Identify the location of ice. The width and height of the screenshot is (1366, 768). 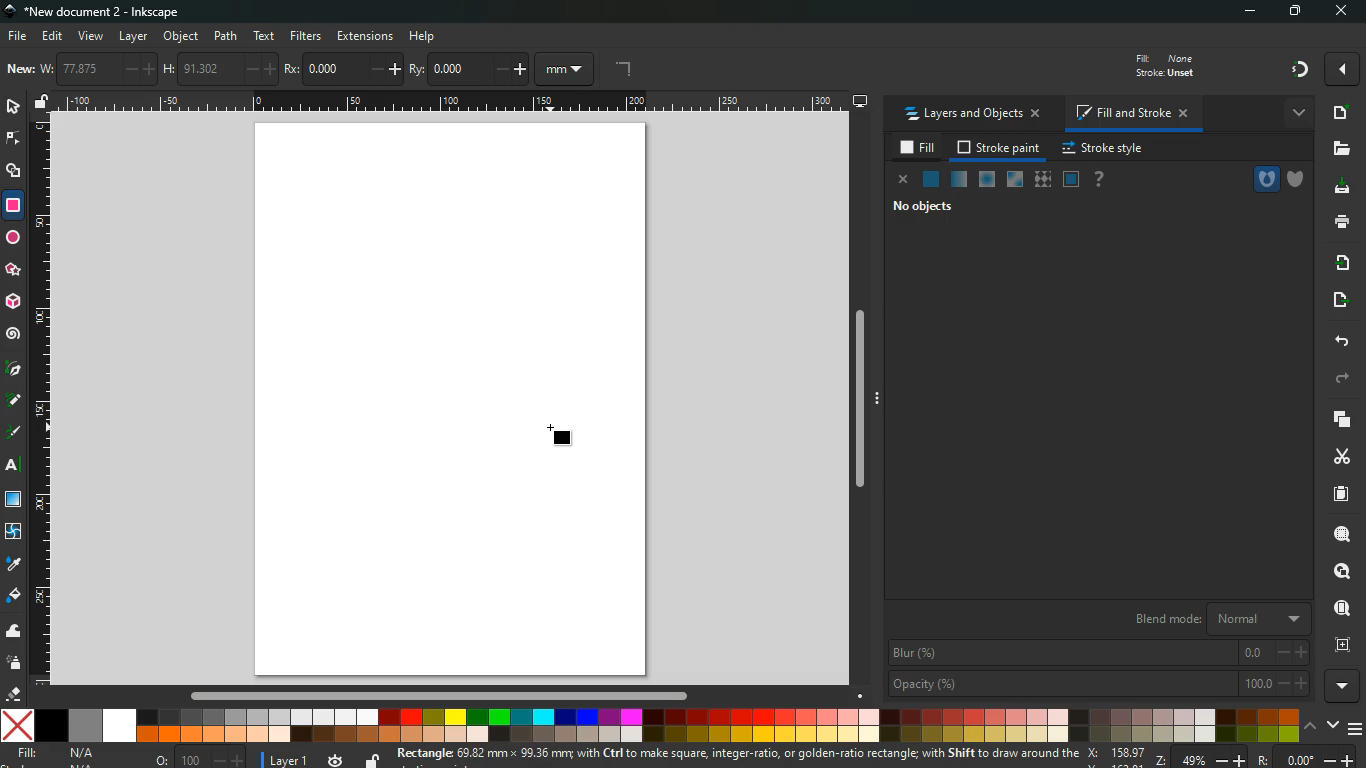
(987, 180).